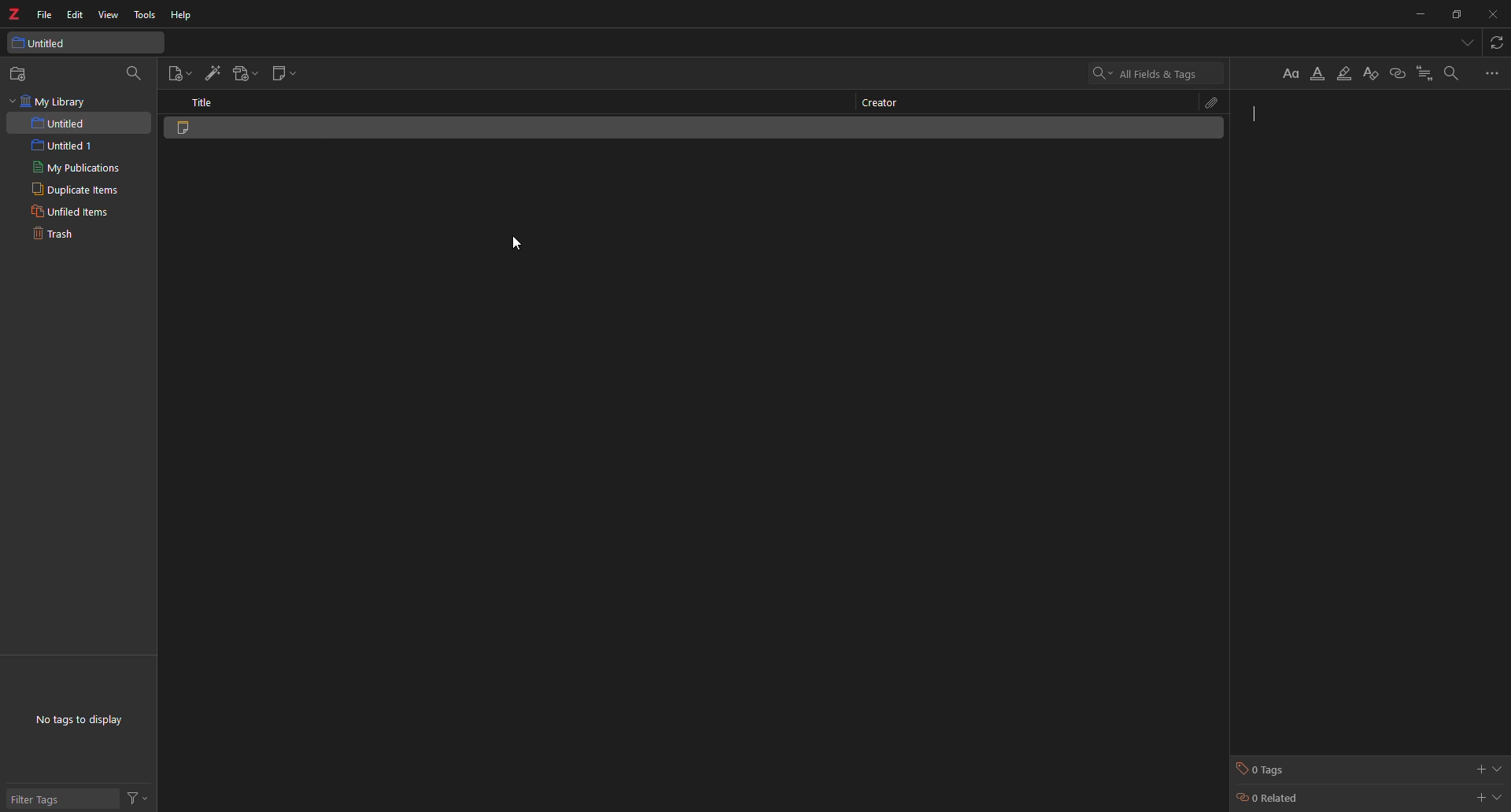 This screenshot has width=1511, height=812. Describe the element at coordinates (145, 15) in the screenshot. I see `tools` at that location.